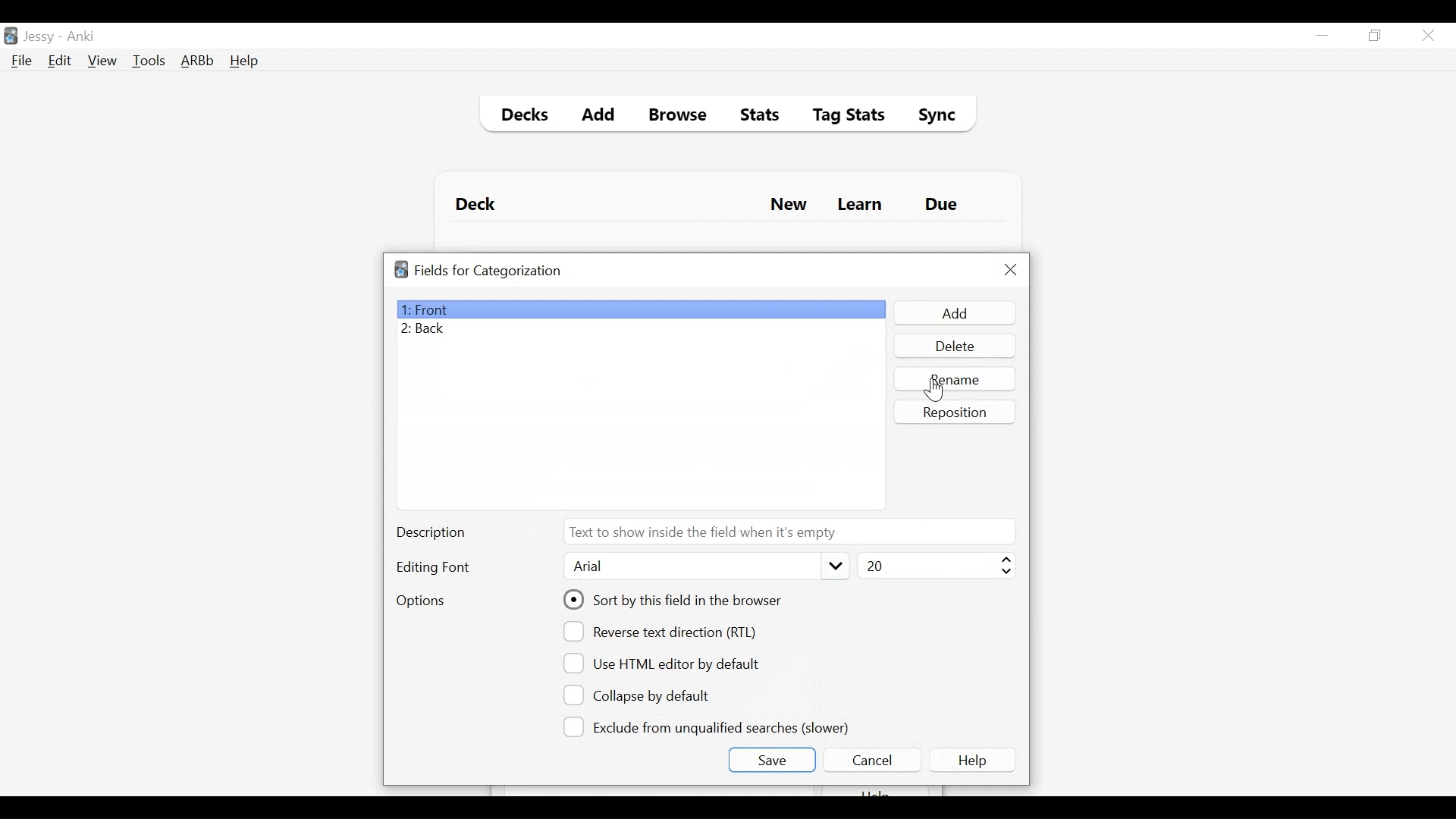 Image resolution: width=1456 pixels, height=819 pixels. What do you see at coordinates (956, 378) in the screenshot?
I see `Rename` at bounding box center [956, 378].